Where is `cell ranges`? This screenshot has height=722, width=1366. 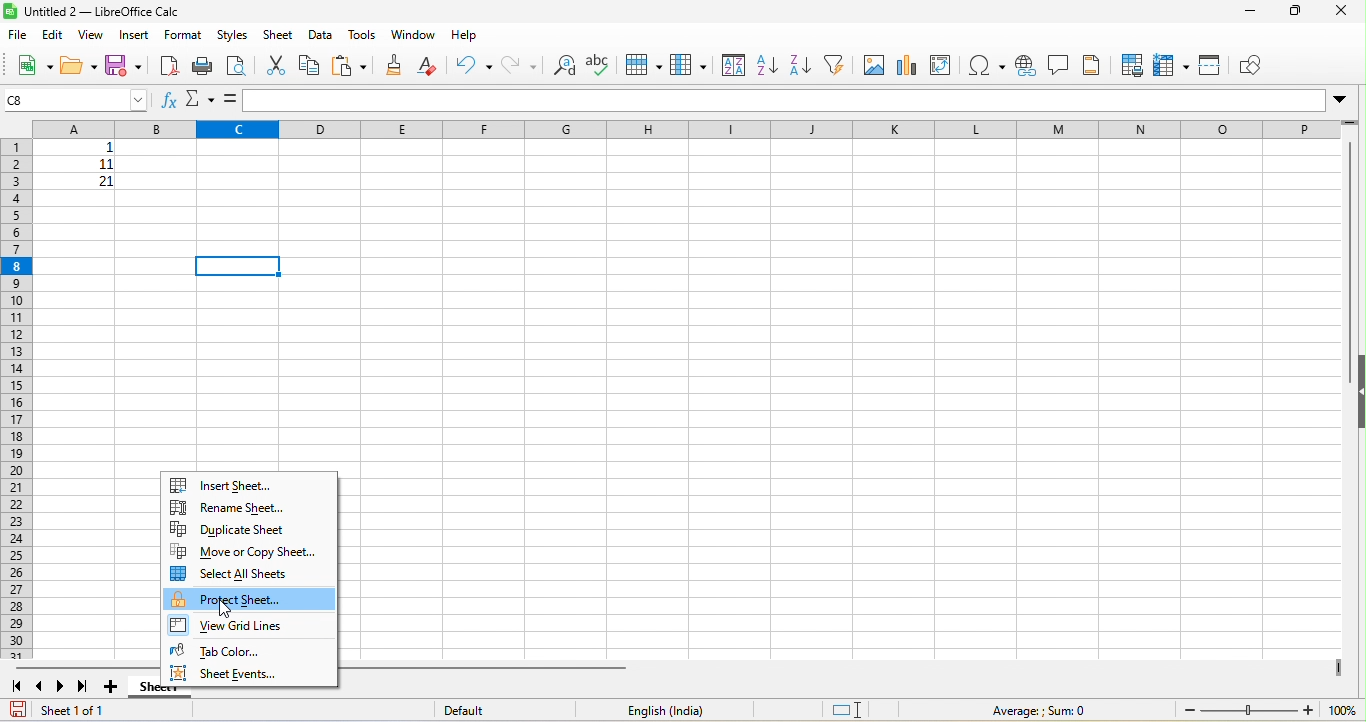 cell ranges is located at coordinates (90, 173).